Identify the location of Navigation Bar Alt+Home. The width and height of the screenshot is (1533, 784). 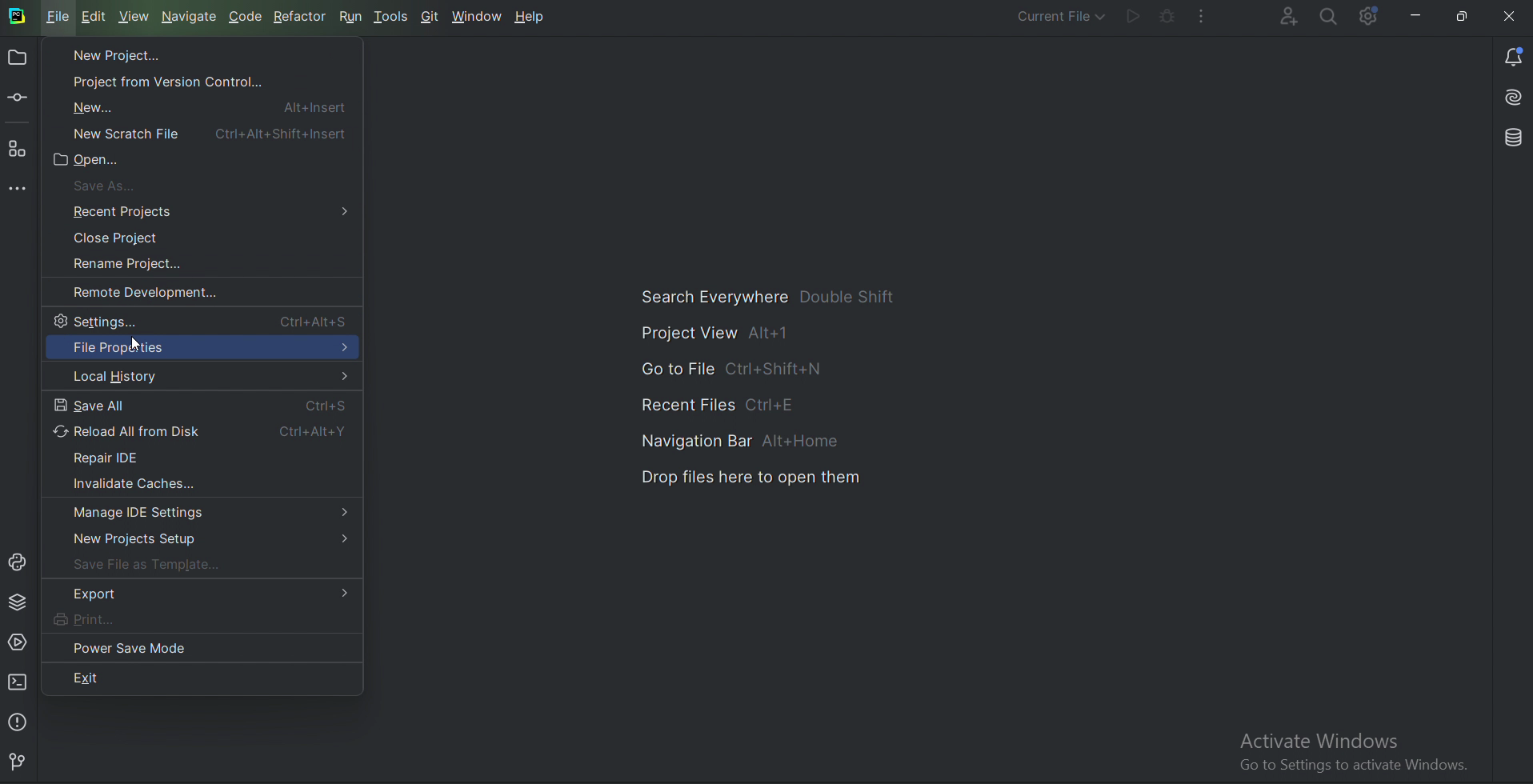
(749, 442).